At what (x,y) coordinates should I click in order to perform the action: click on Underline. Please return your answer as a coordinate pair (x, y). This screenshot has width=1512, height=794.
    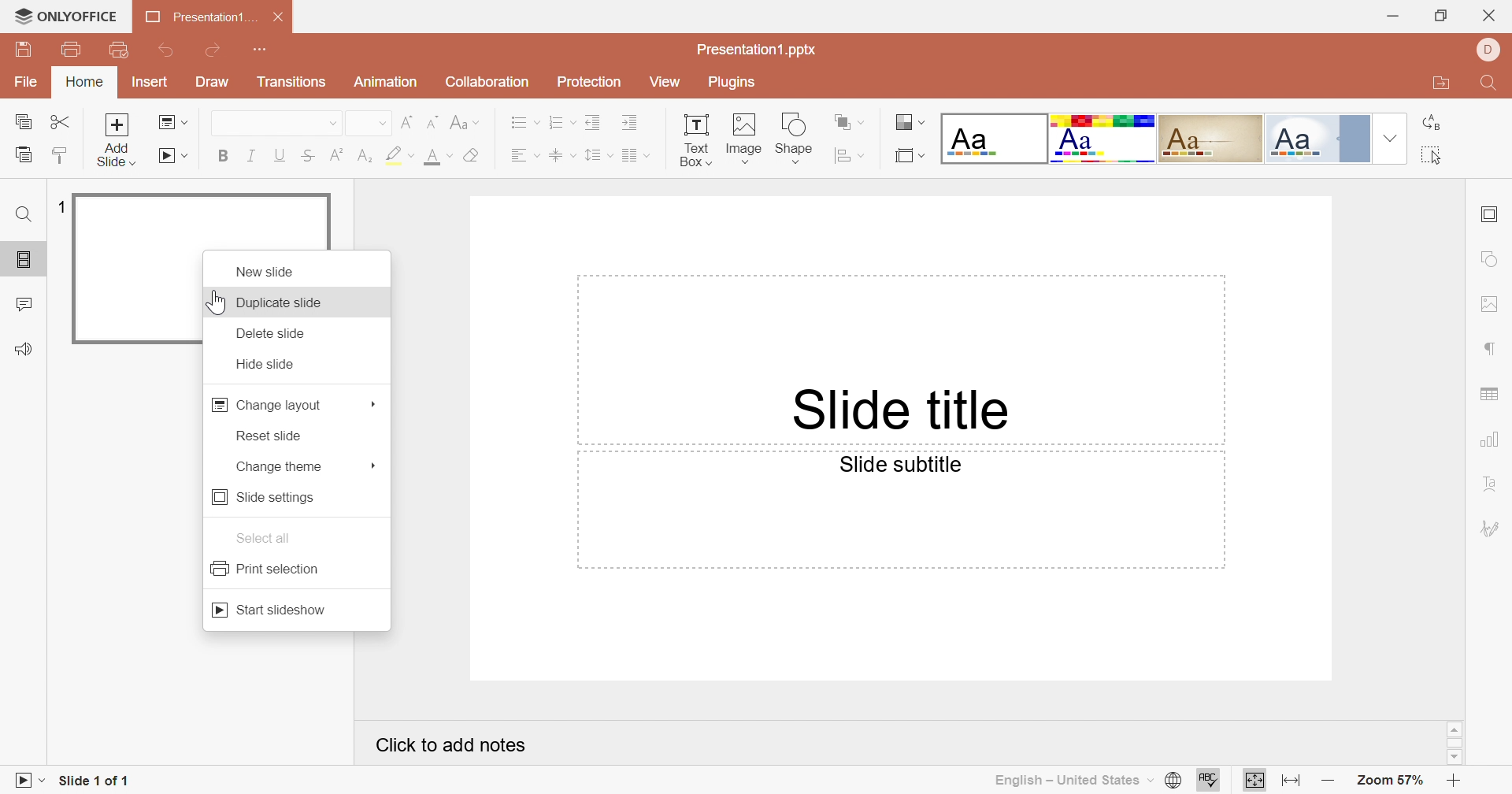
    Looking at the image, I should click on (277, 154).